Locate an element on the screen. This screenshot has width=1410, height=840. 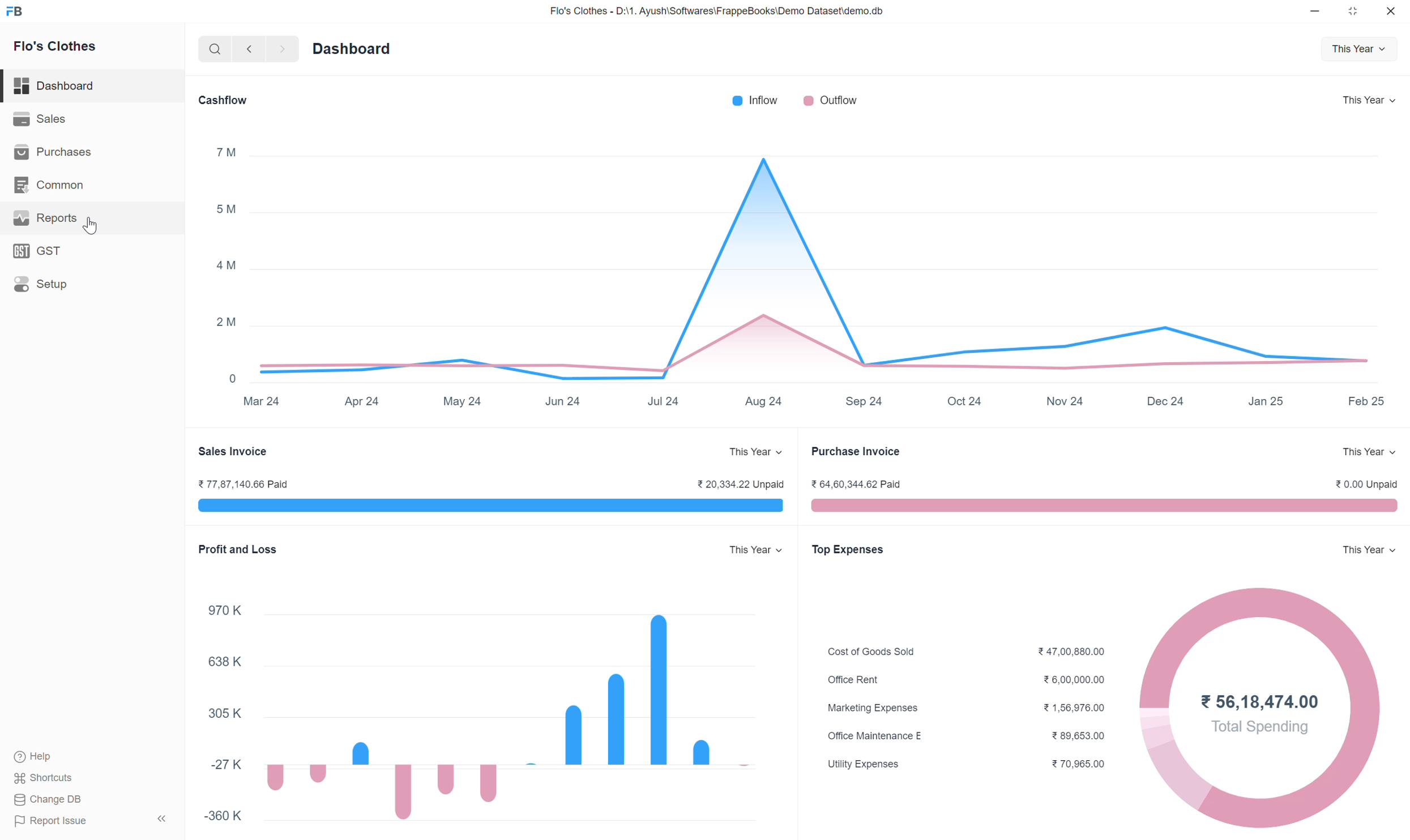
638 K is located at coordinates (224, 659).